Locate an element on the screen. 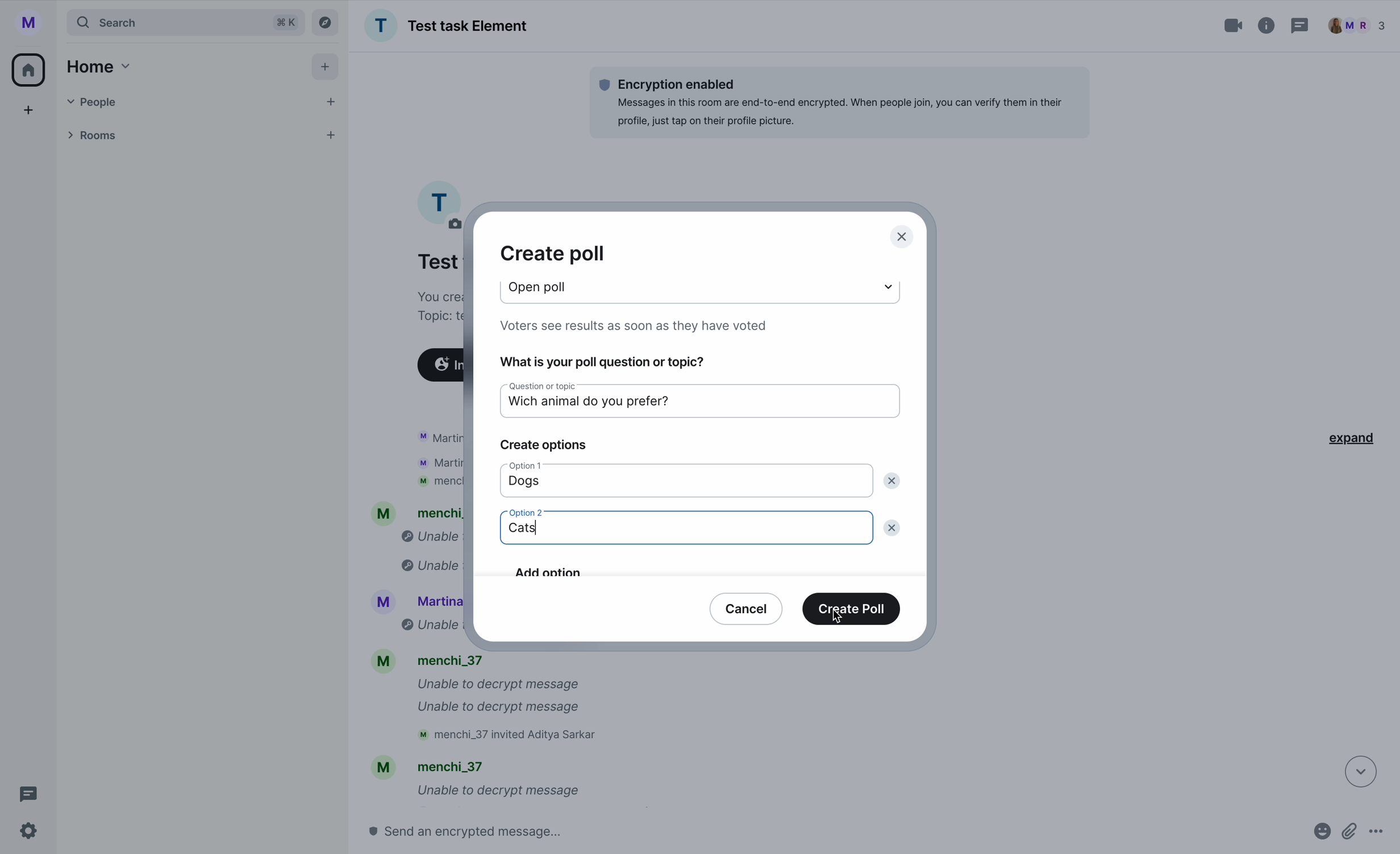 Image resolution: width=1400 pixels, height=854 pixels. attach files is located at coordinates (1351, 836).